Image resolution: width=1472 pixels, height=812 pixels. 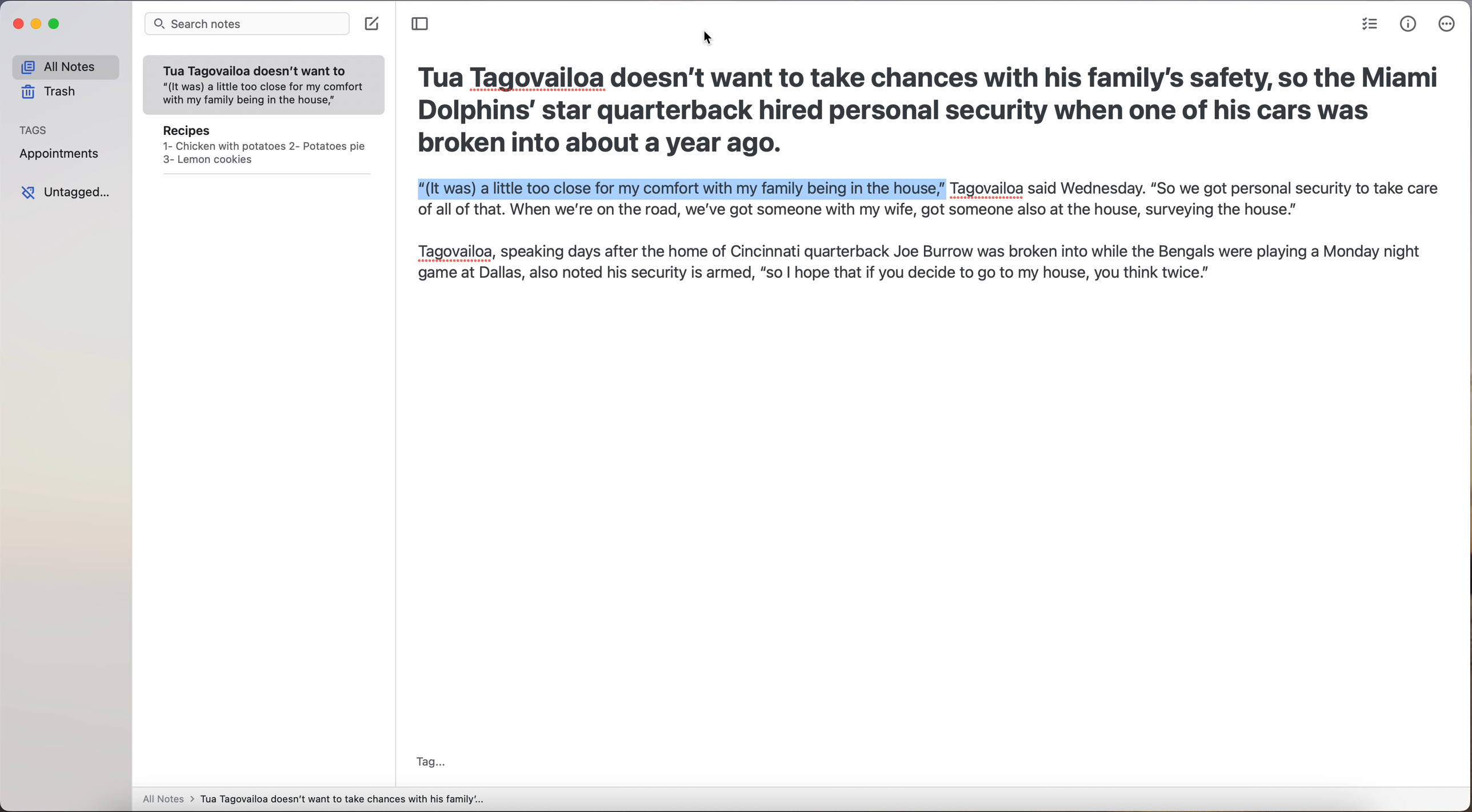 What do you see at coordinates (925, 173) in the screenshot?
I see `augmented typography` at bounding box center [925, 173].